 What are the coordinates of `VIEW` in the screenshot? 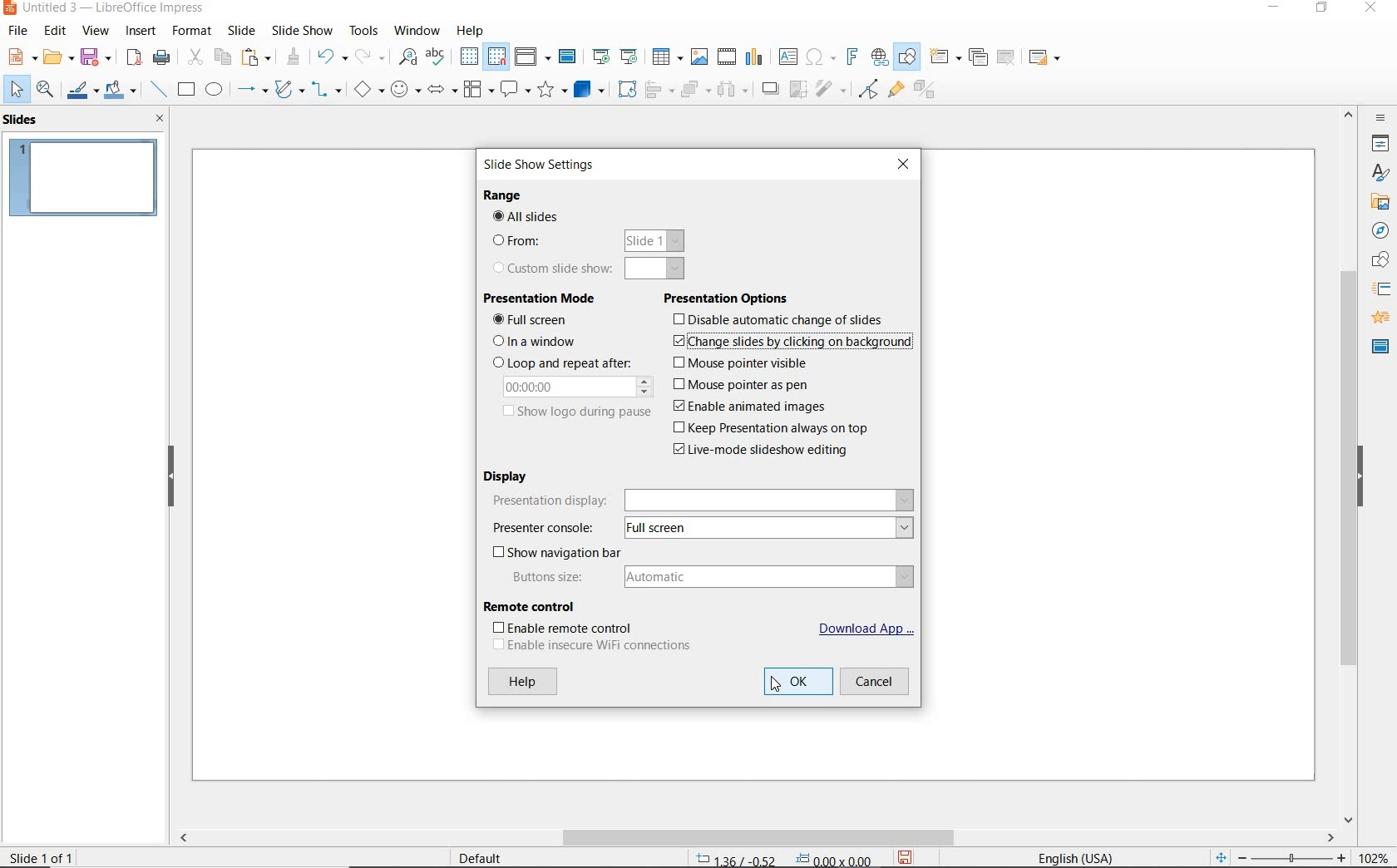 It's located at (96, 32).